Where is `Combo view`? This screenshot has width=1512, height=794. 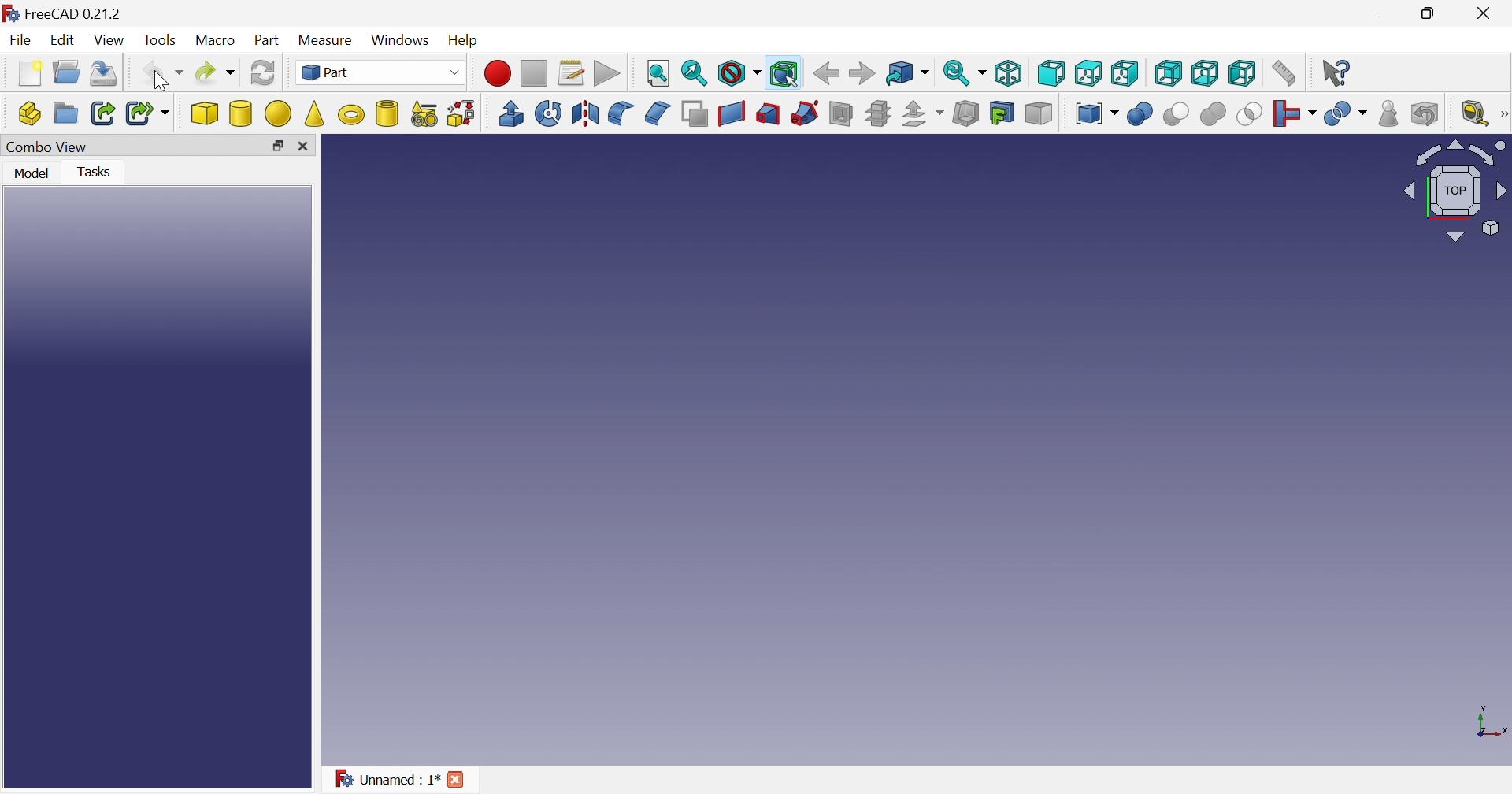
Combo view is located at coordinates (47, 149).